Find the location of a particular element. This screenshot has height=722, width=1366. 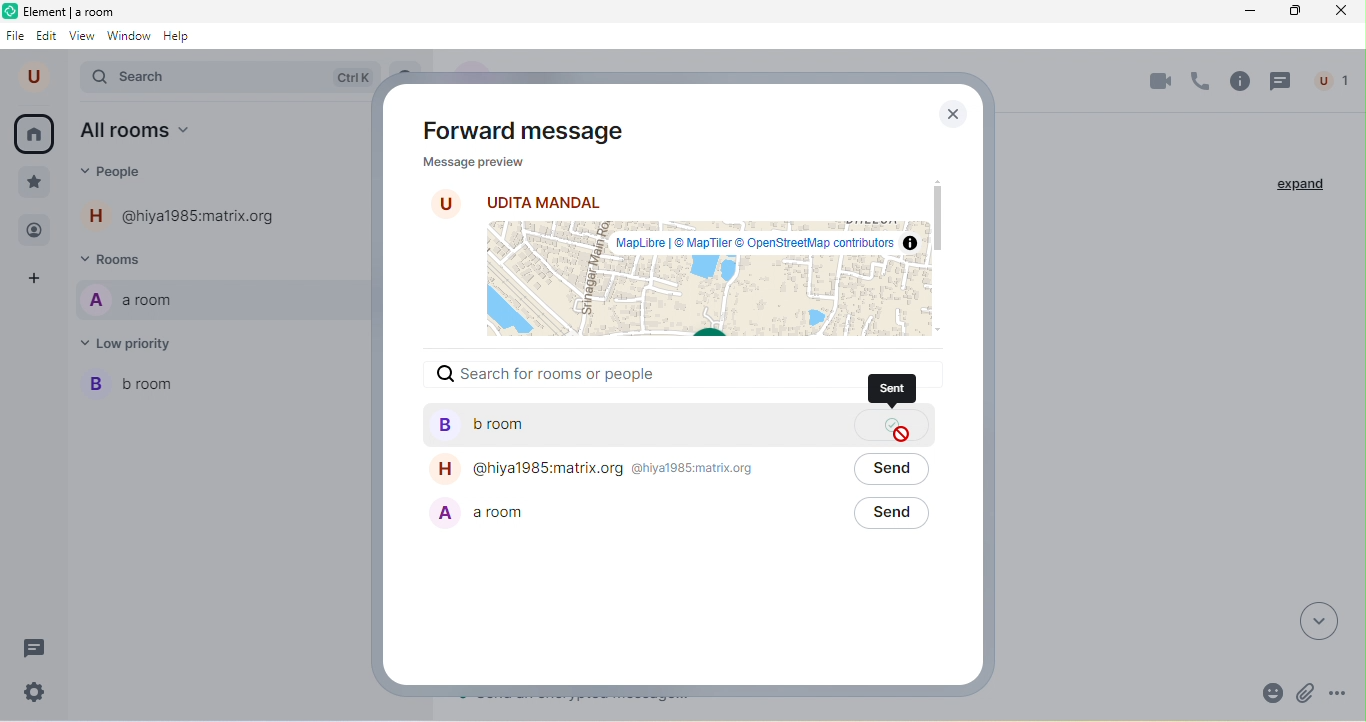

rooms is located at coordinates (116, 257).